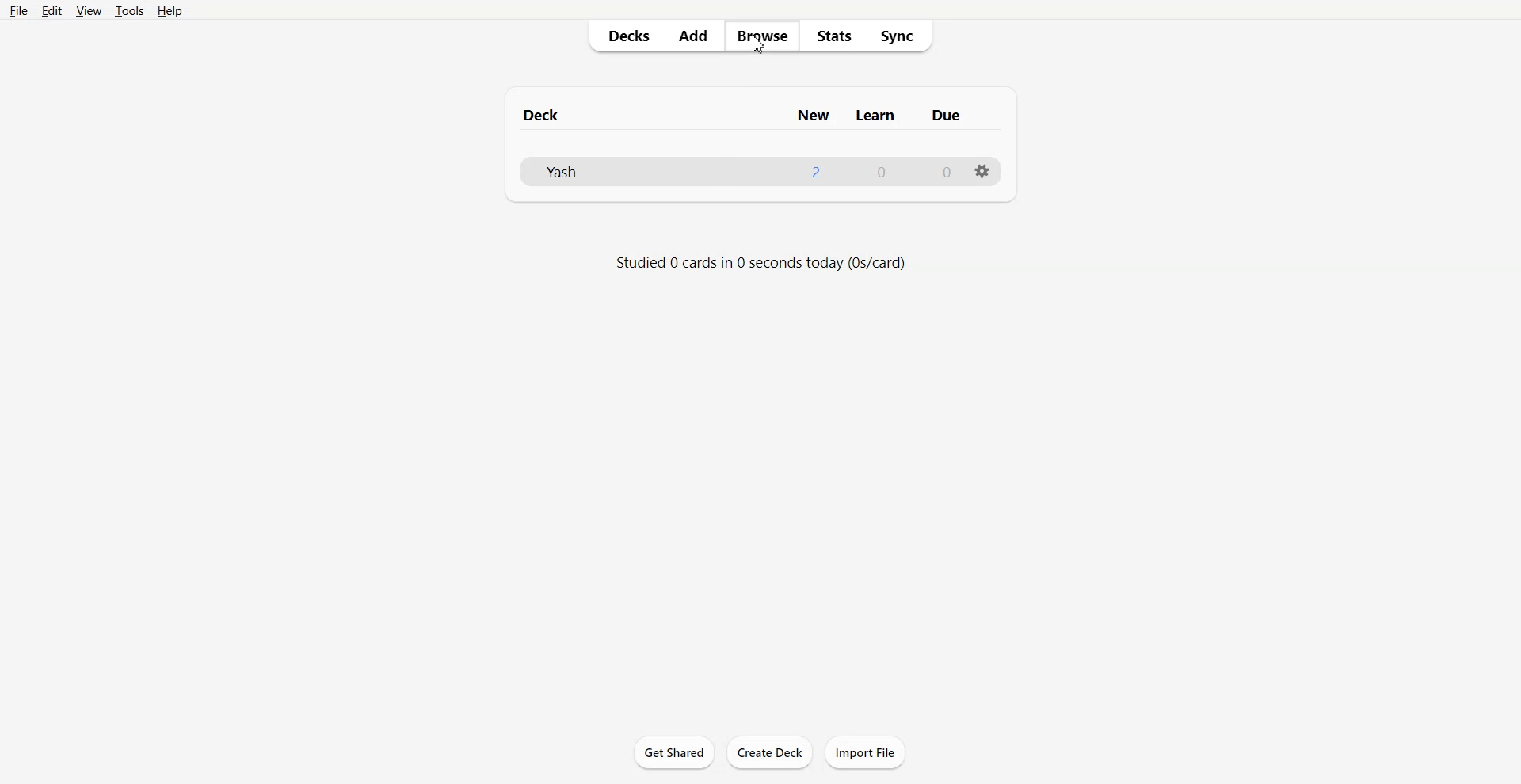 This screenshot has width=1521, height=784. Describe the element at coordinates (673, 752) in the screenshot. I see `Get Shared` at that location.